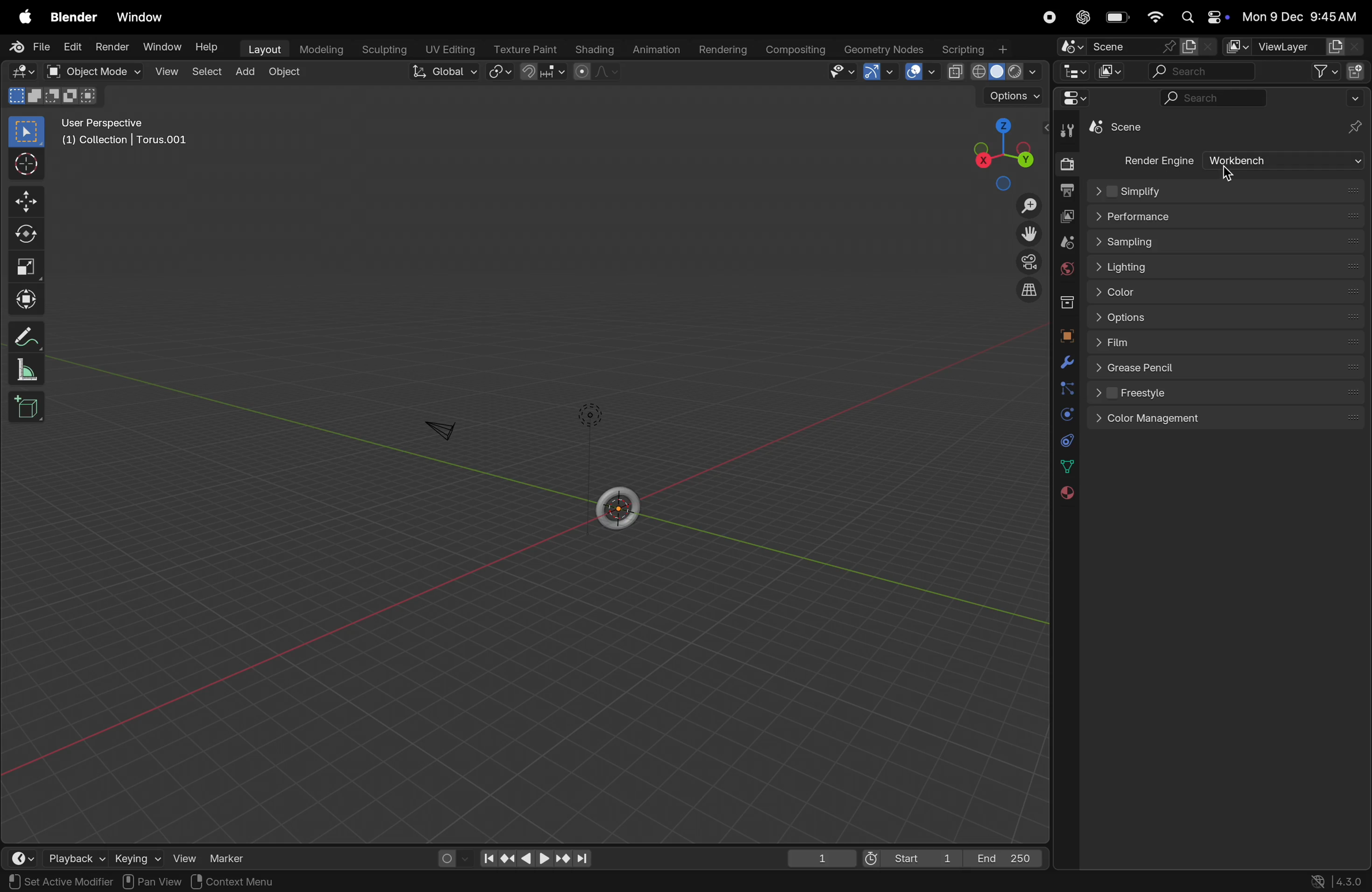 This screenshot has width=1372, height=892. What do you see at coordinates (536, 860) in the screenshot?
I see `play back controls` at bounding box center [536, 860].